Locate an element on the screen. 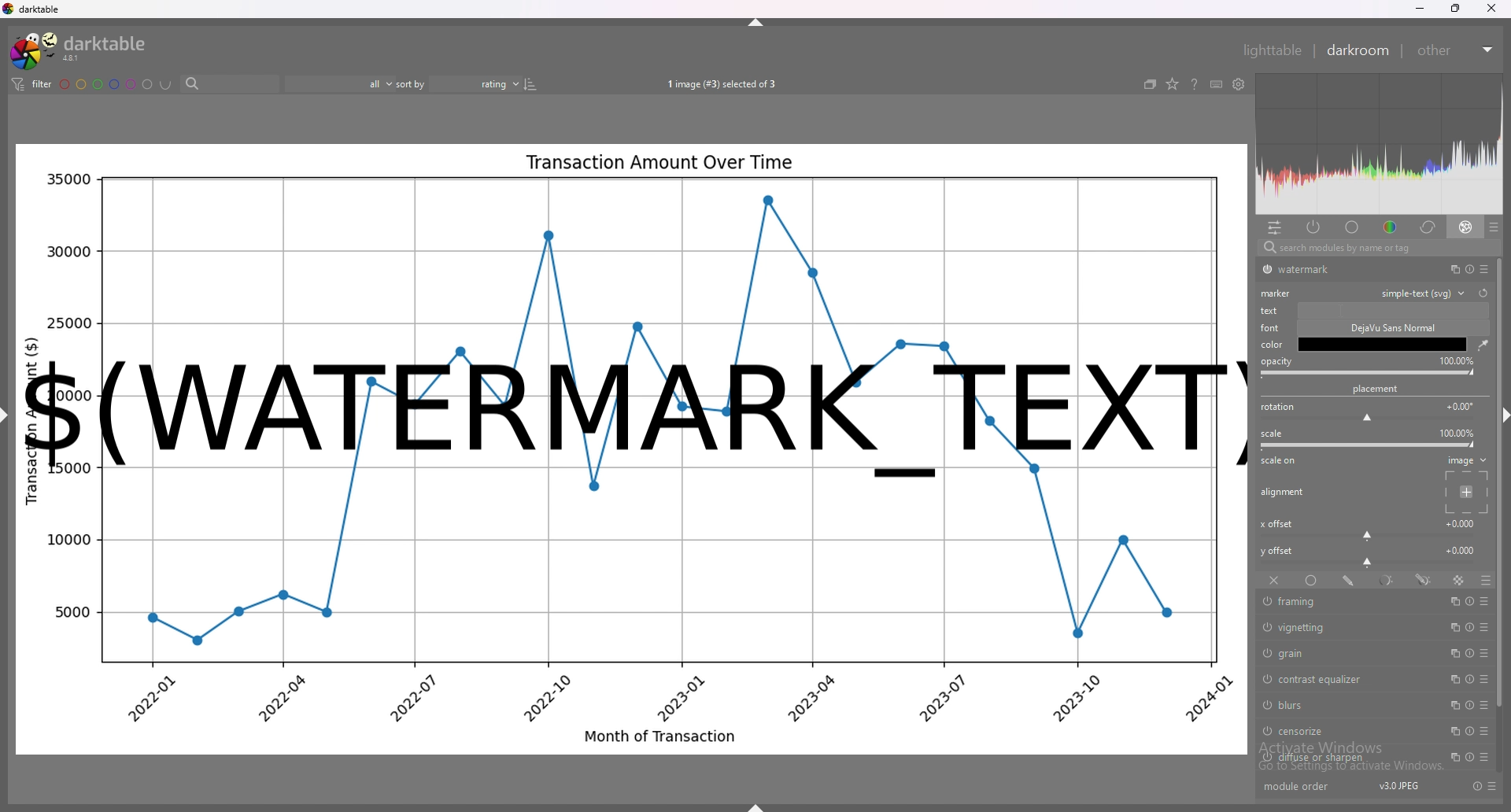  grain is located at coordinates (1342, 652).